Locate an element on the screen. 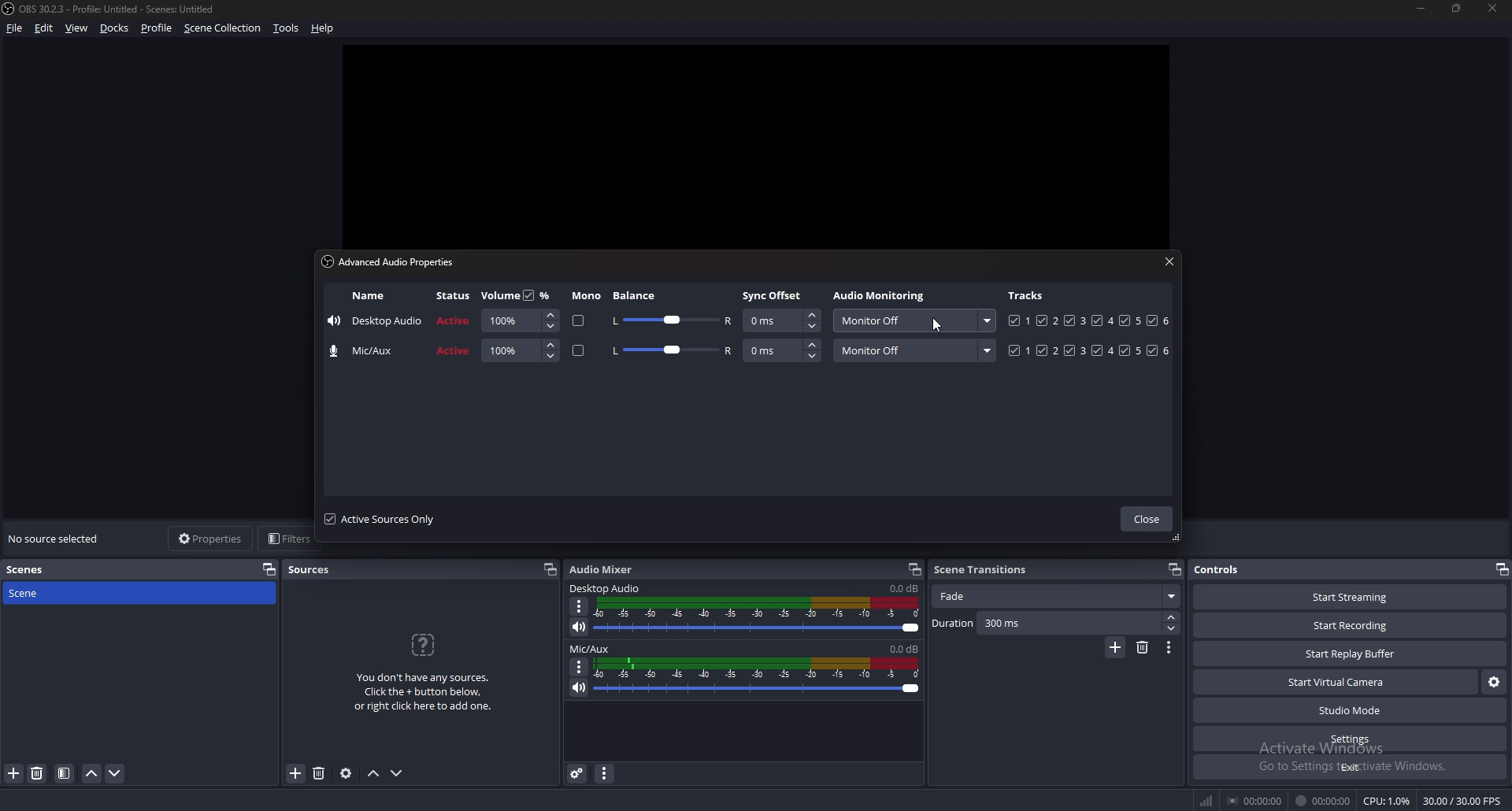  monitor off is located at coordinates (913, 320).